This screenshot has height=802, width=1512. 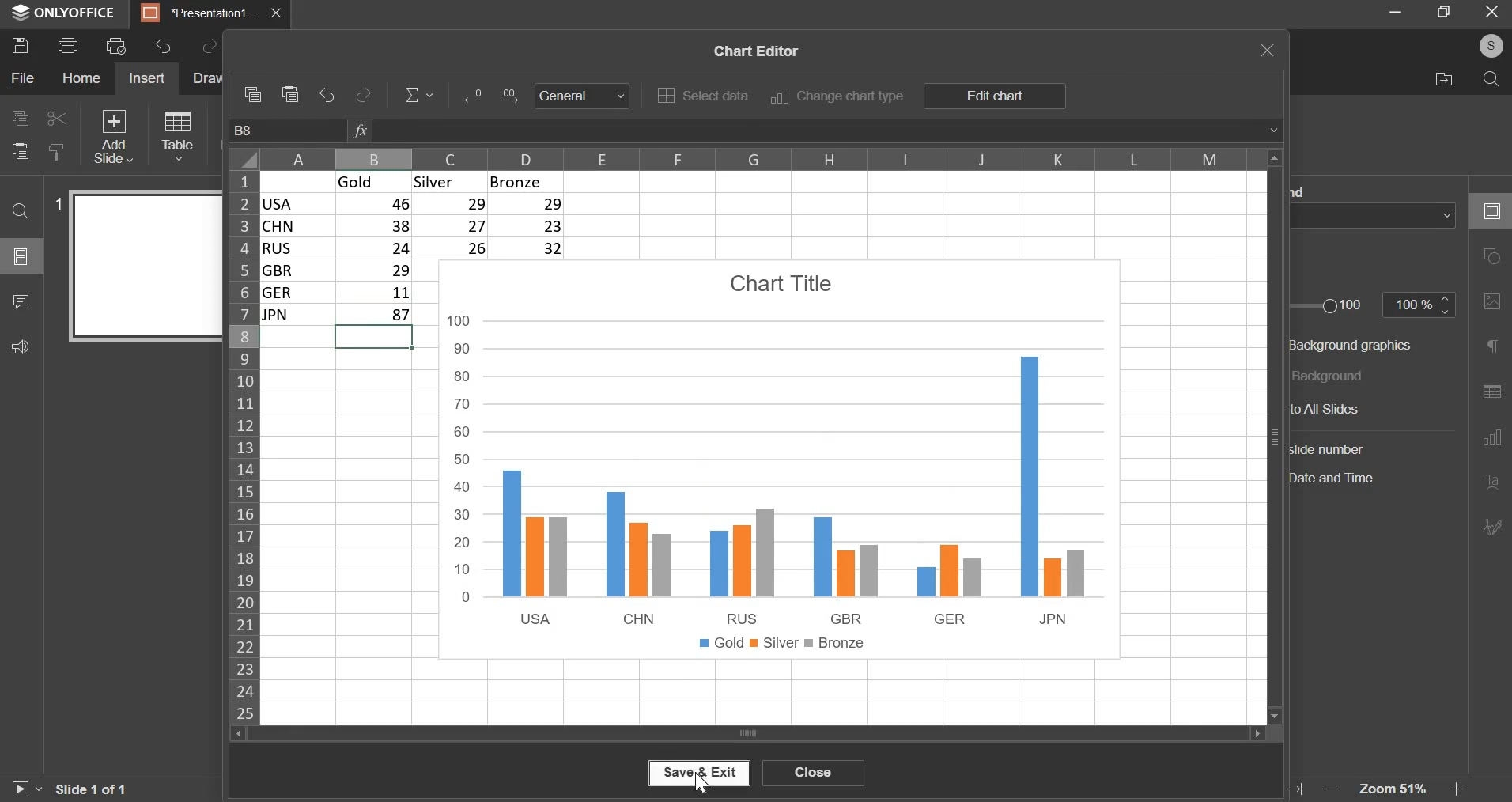 What do you see at coordinates (813, 772) in the screenshot?
I see `close` at bounding box center [813, 772].